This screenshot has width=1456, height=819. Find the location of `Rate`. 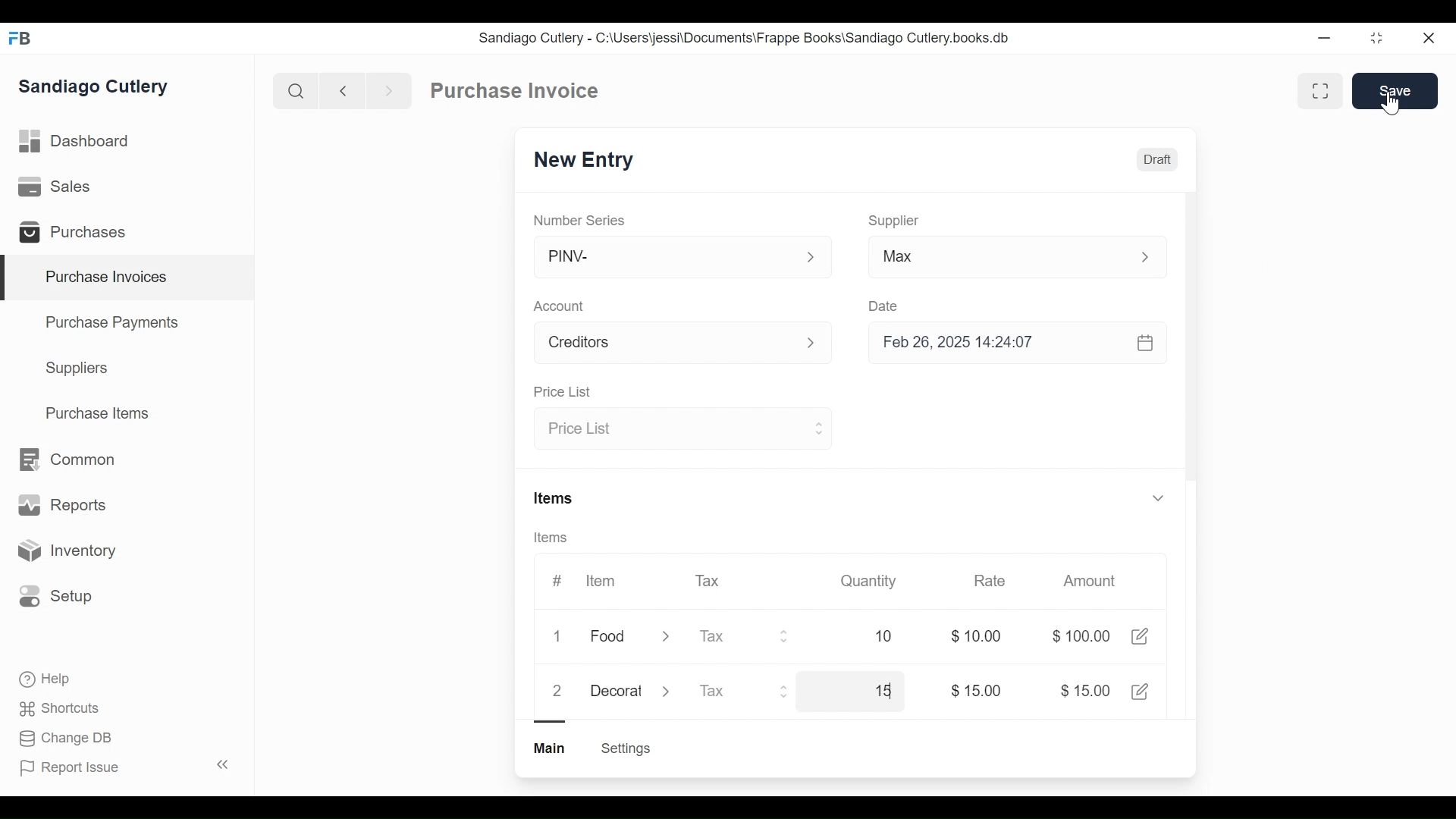

Rate is located at coordinates (988, 581).